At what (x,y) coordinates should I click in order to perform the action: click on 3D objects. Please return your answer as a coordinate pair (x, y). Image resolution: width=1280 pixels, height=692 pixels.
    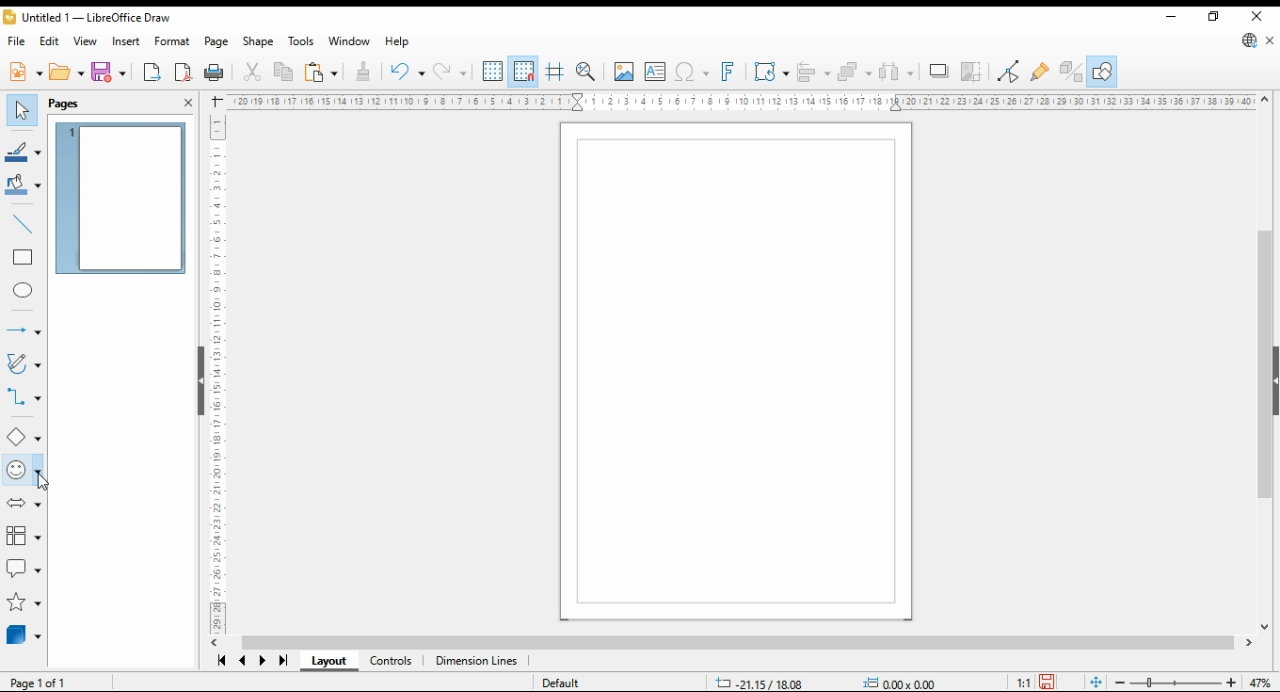
    Looking at the image, I should click on (23, 635).